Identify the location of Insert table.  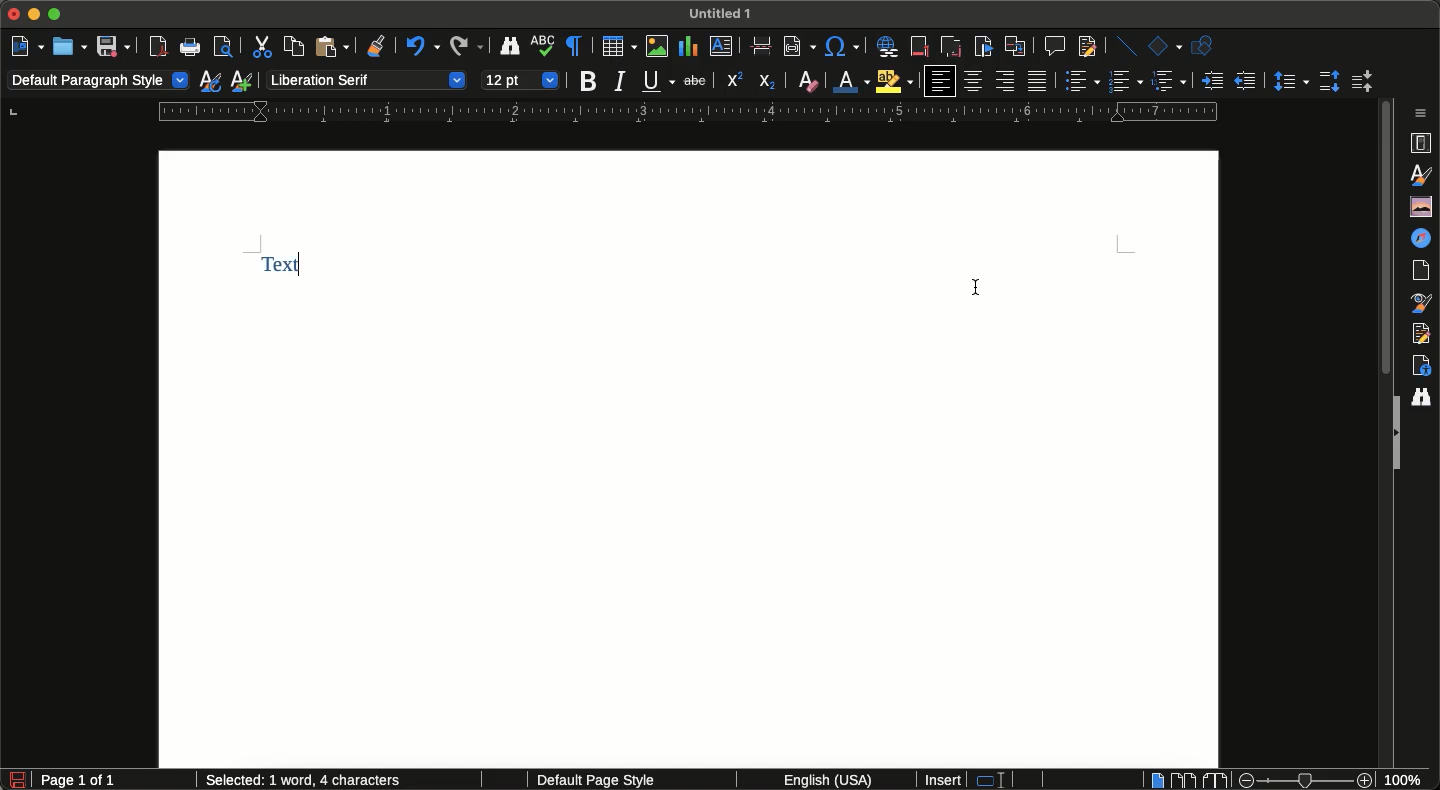
(619, 46).